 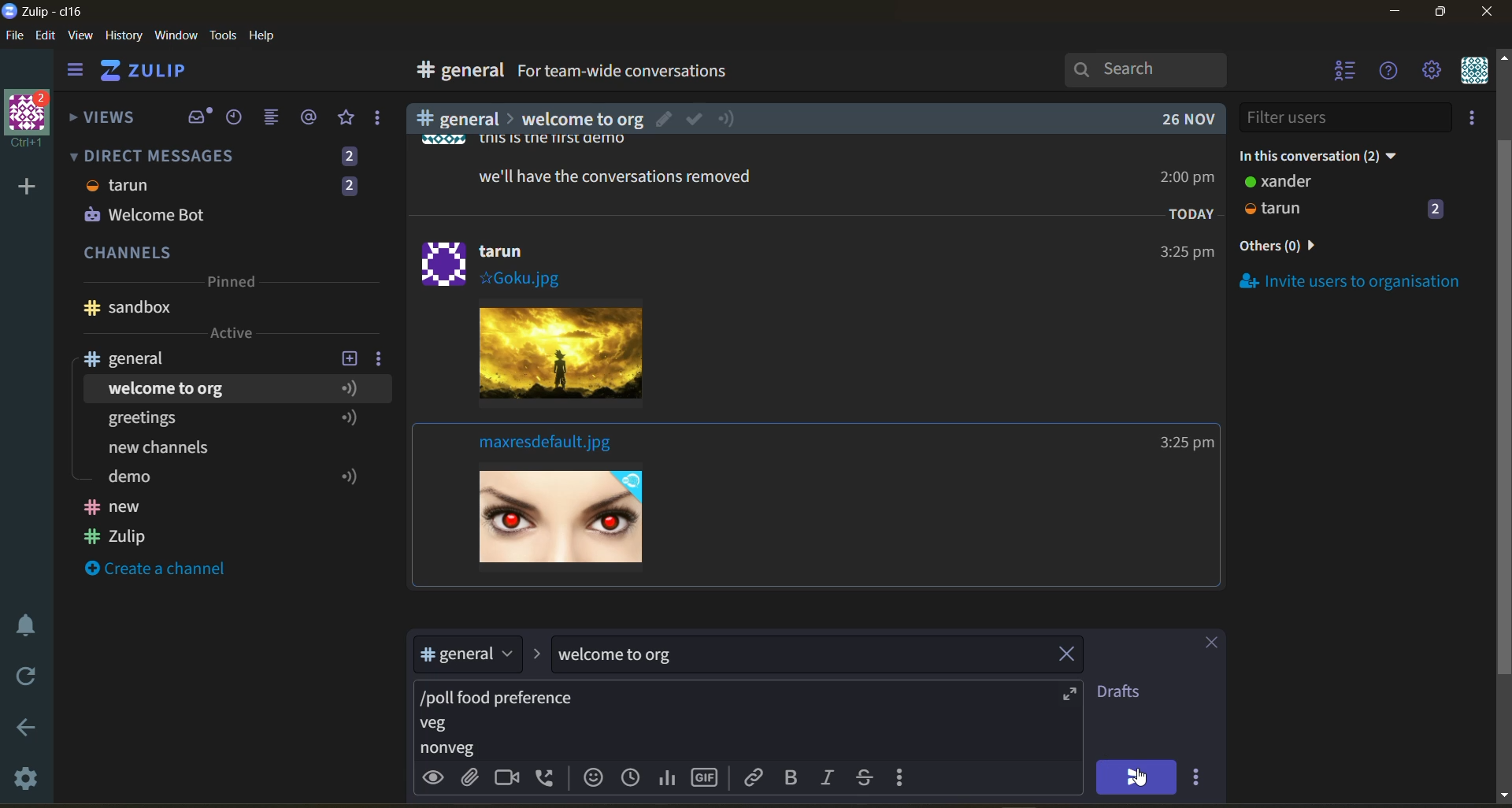 What do you see at coordinates (1395, 14) in the screenshot?
I see `minimize` at bounding box center [1395, 14].